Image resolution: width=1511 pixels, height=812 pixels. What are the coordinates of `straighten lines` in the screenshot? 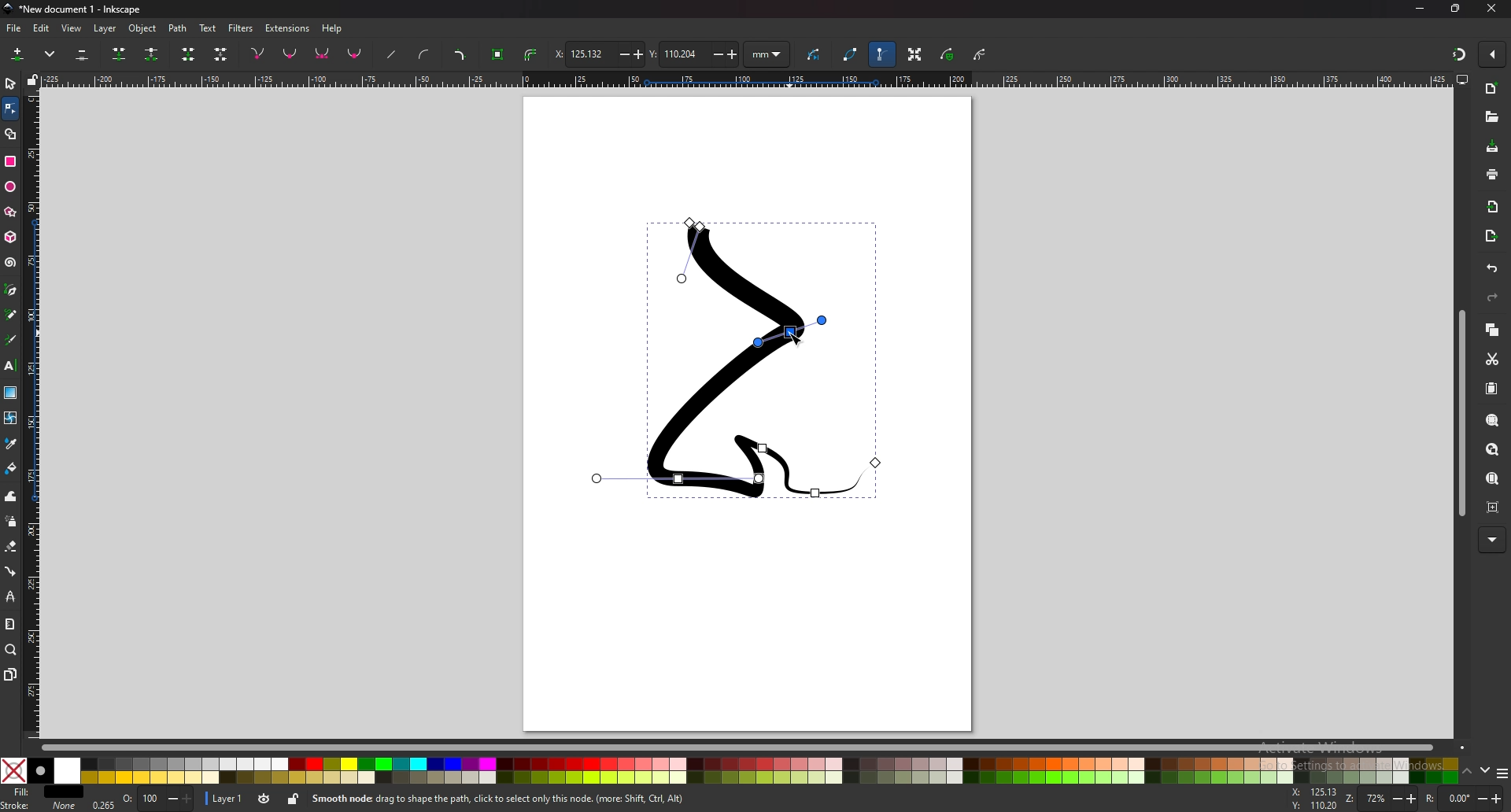 It's located at (393, 56).